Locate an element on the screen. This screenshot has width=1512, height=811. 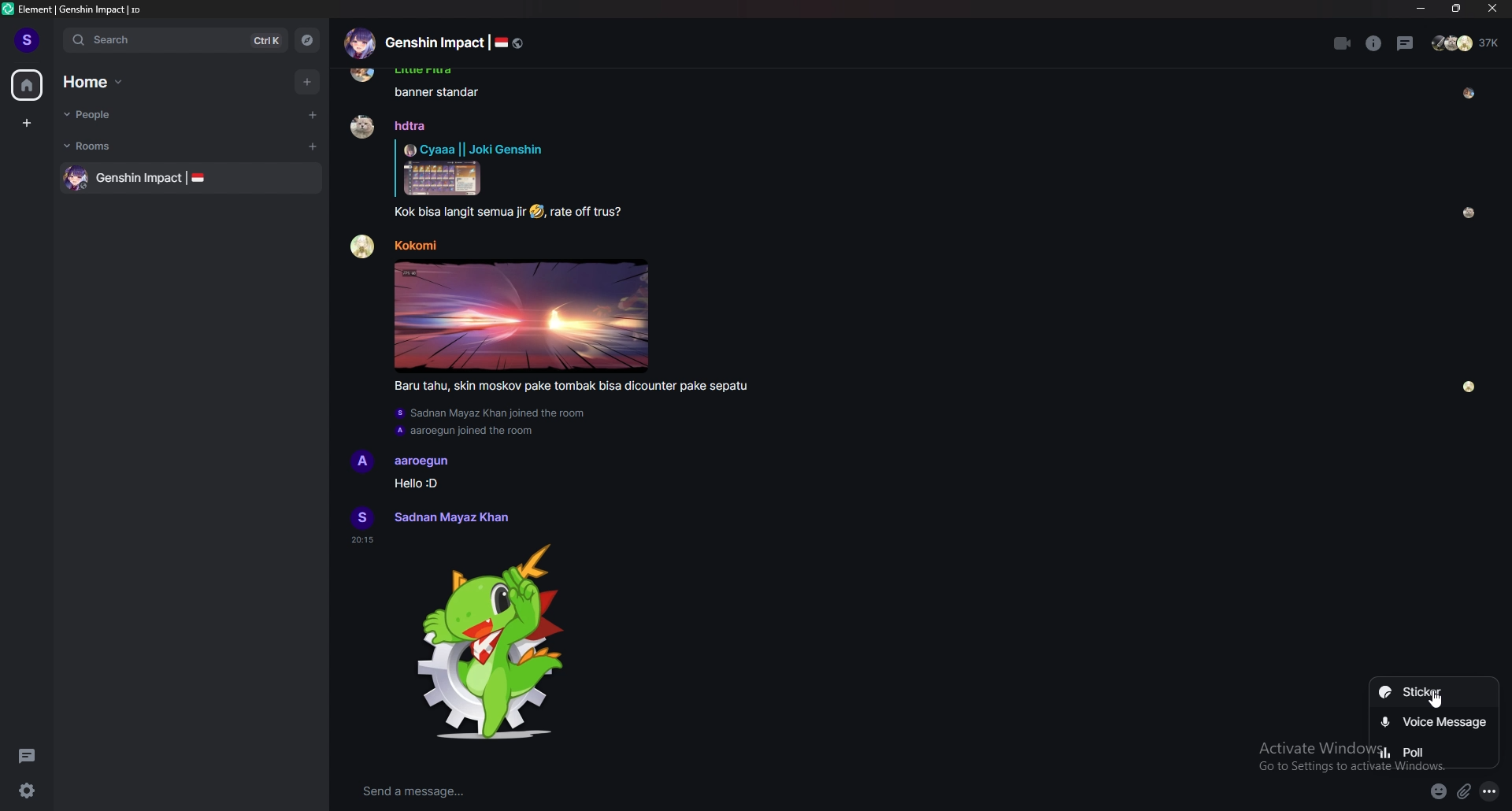
Activate Windows
Go to Settings to activate Windows. is located at coordinates (1311, 757).